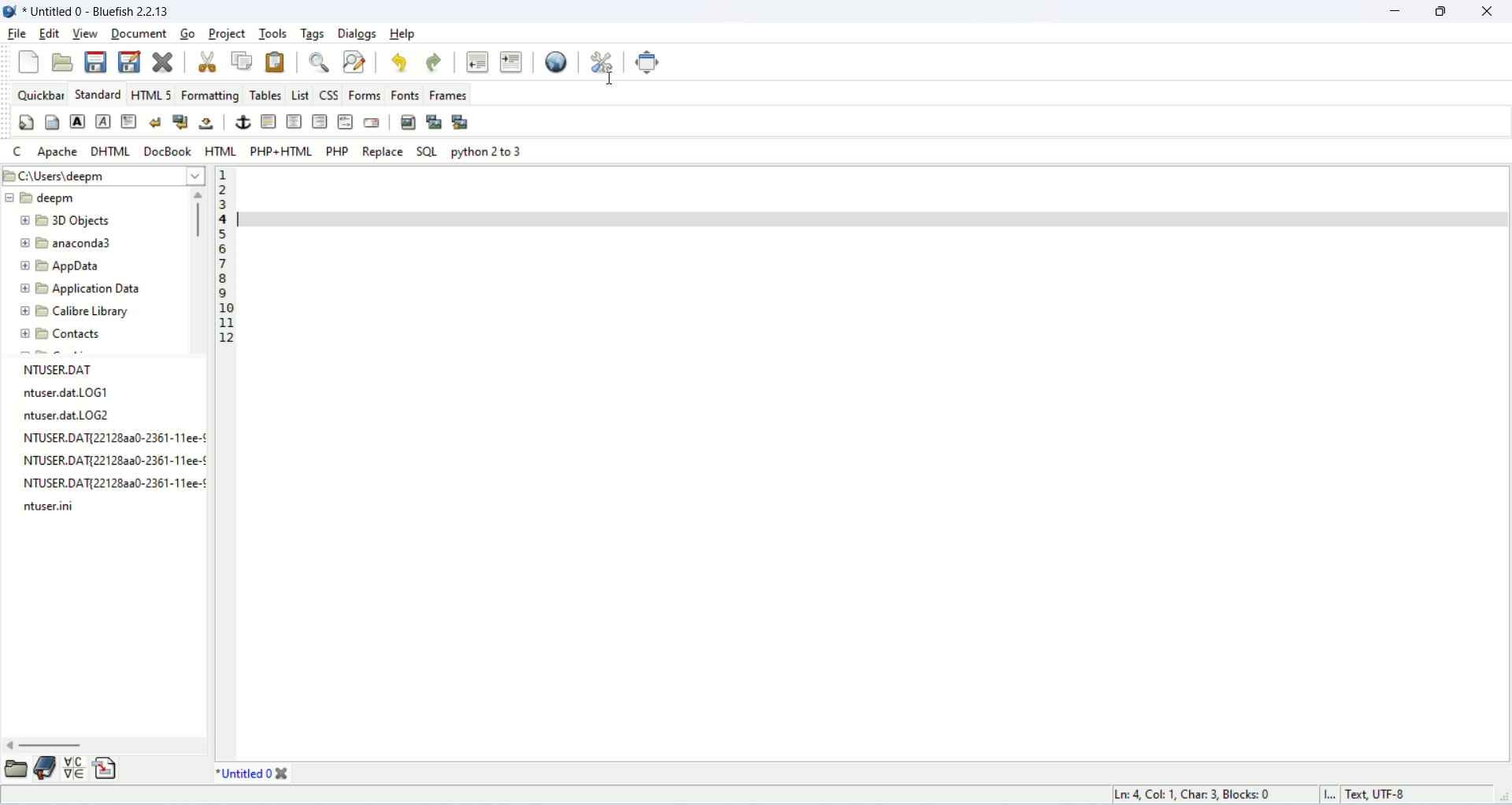 The height and width of the screenshot is (805, 1512). Describe the element at coordinates (241, 121) in the screenshot. I see `anchor/hyperlink` at that location.